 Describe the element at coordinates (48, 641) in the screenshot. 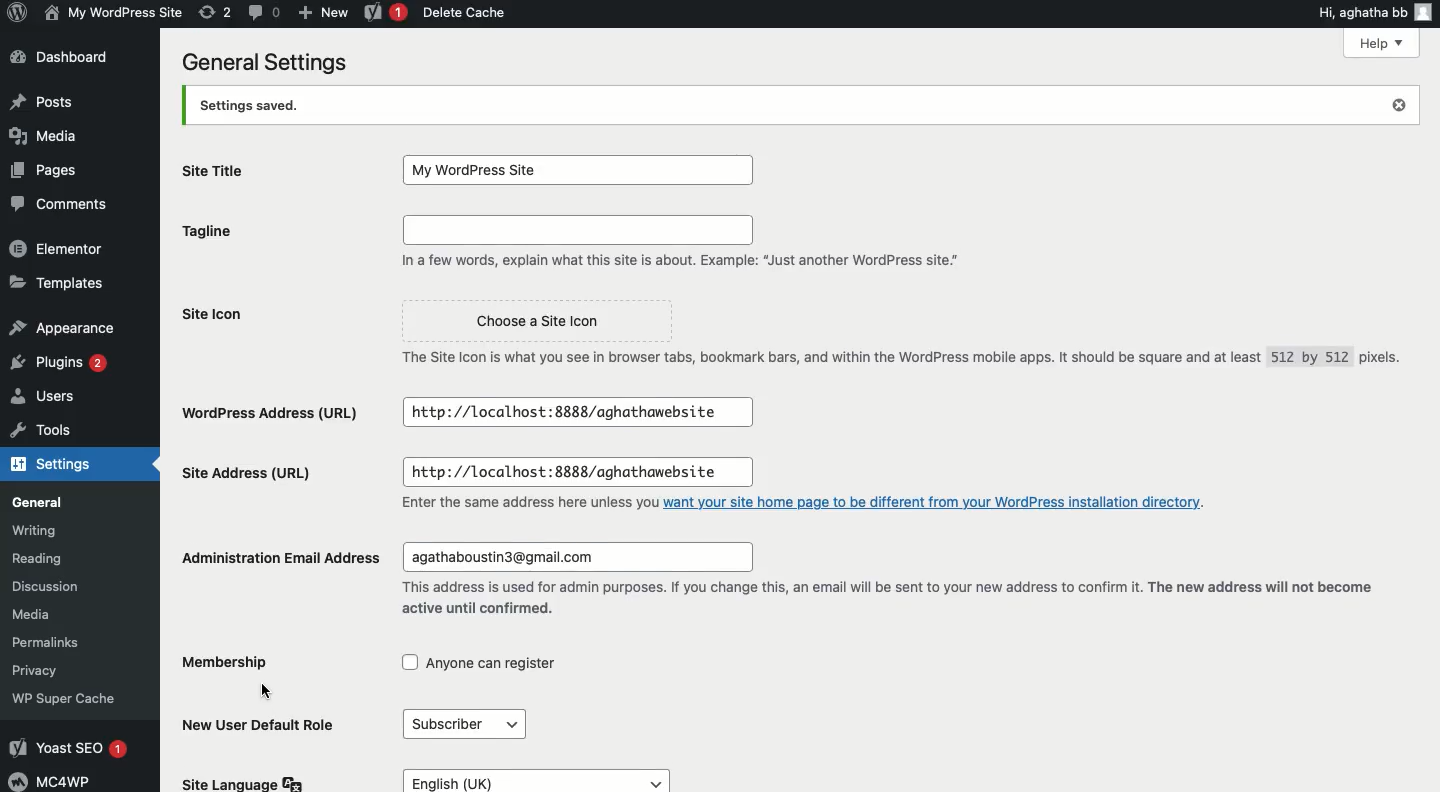

I see `Permalinks` at that location.